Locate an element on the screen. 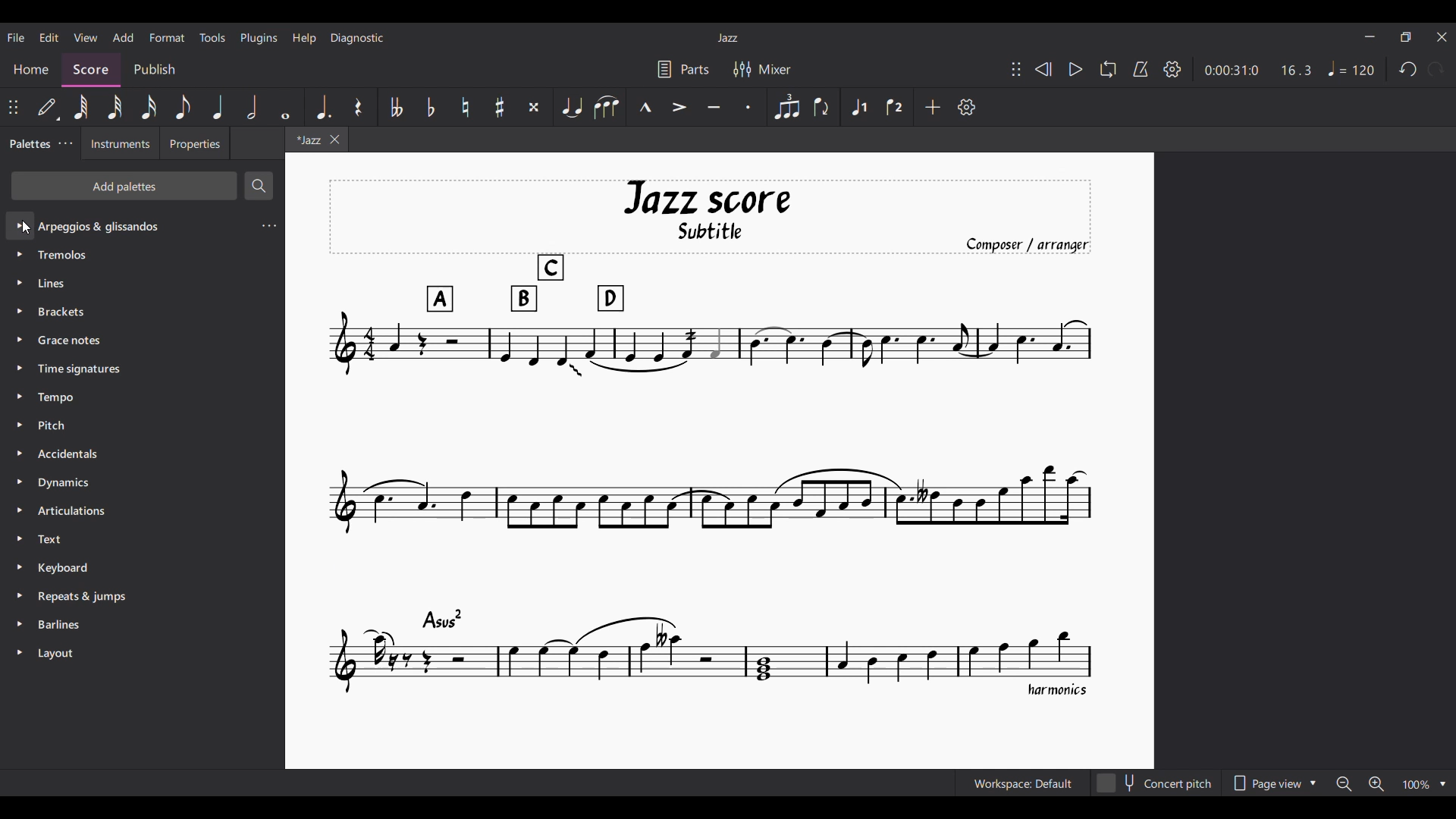 This screenshot has width=1456, height=819. Lines is located at coordinates (58, 282).